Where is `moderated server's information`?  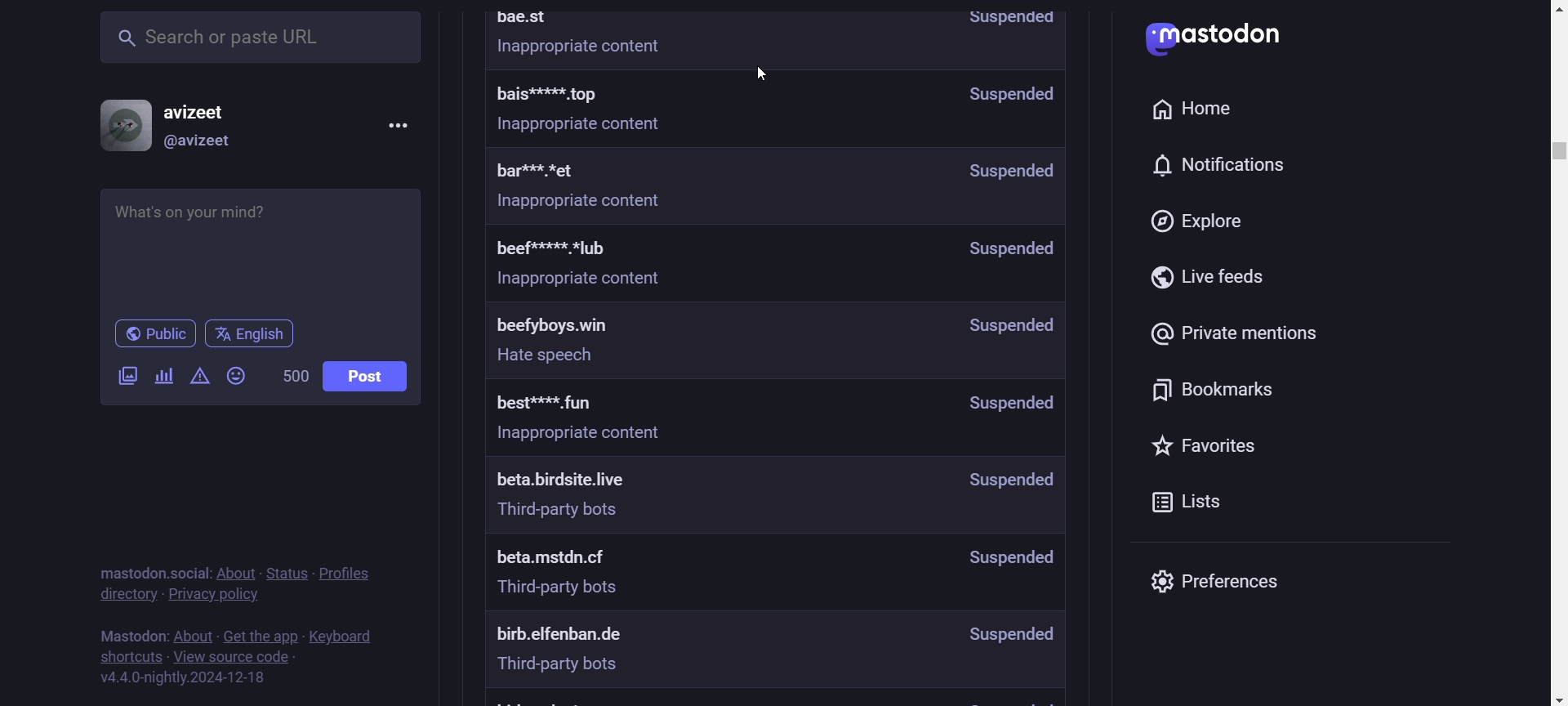
moderated server's information is located at coordinates (771, 697).